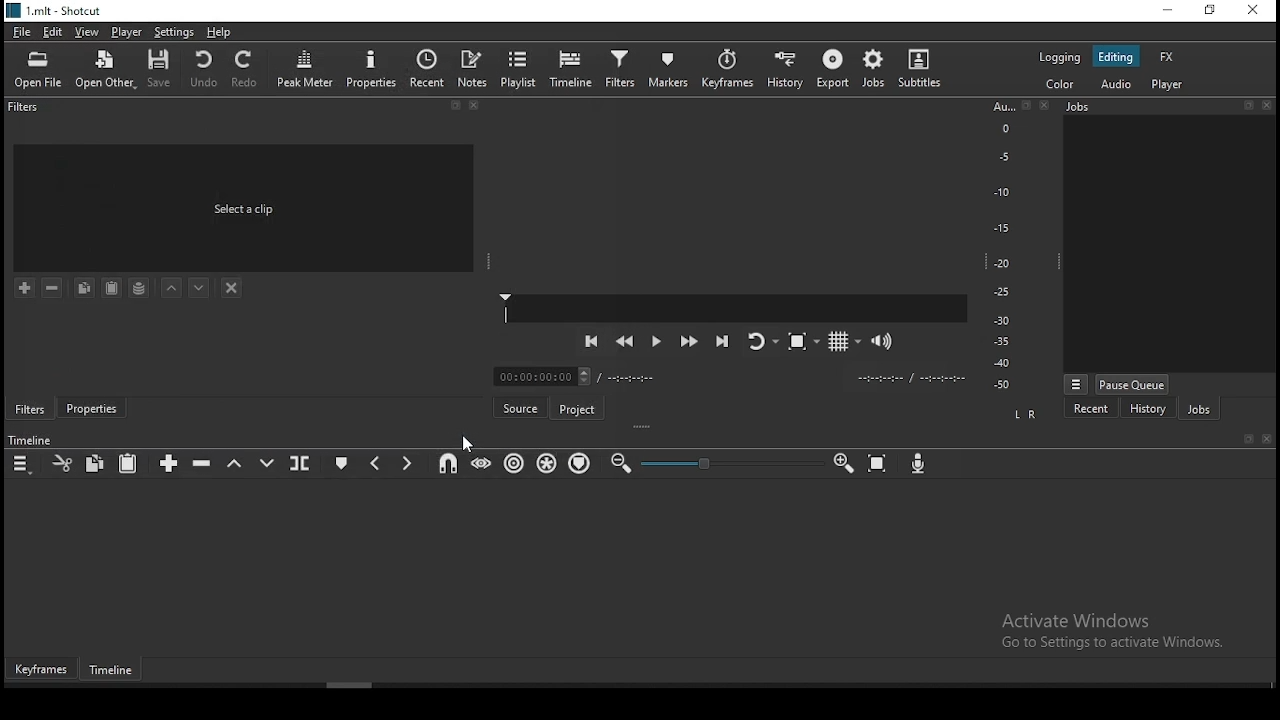  What do you see at coordinates (20, 30) in the screenshot?
I see `file` at bounding box center [20, 30].